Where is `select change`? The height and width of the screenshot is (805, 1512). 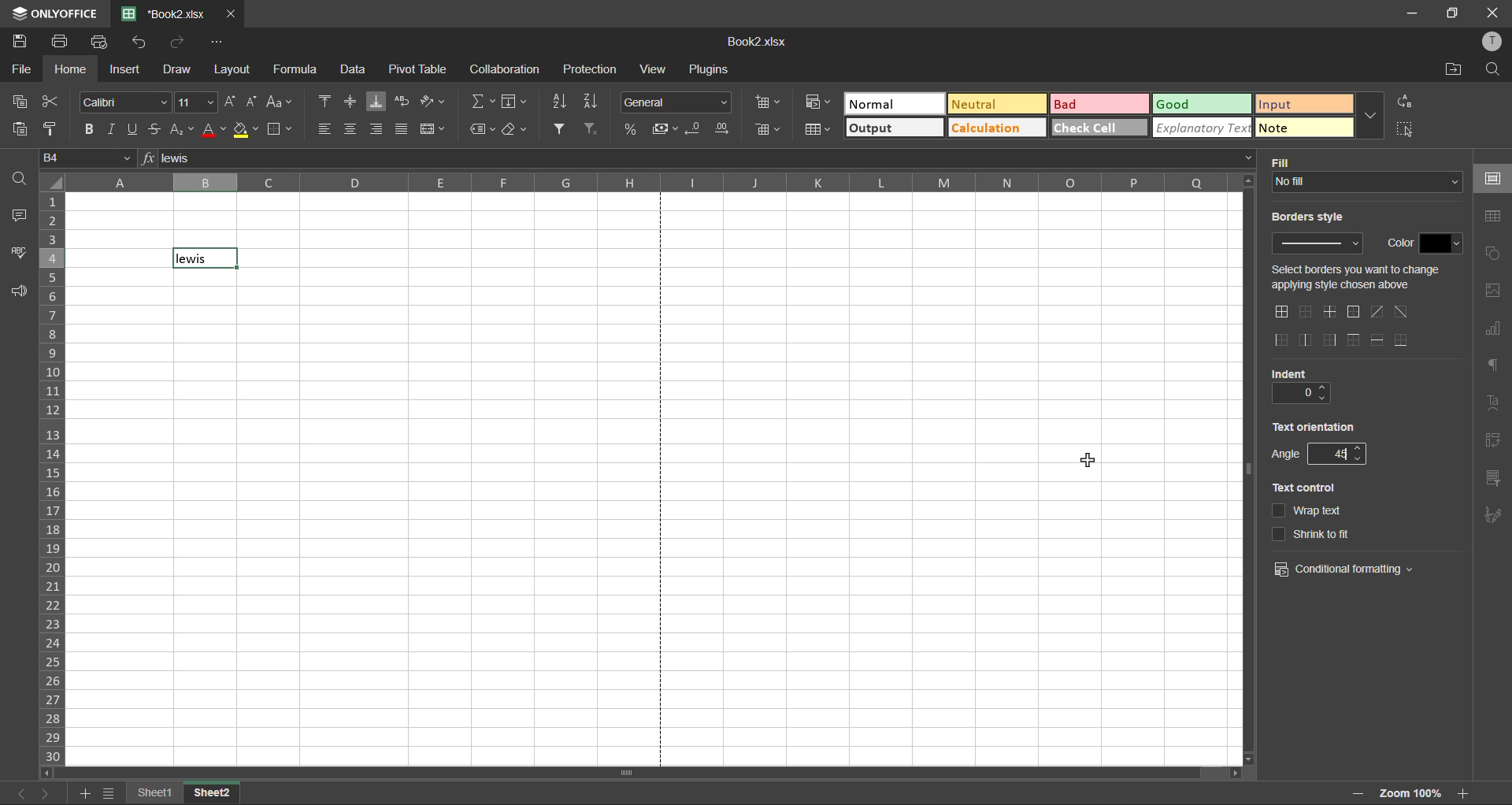 select change is located at coordinates (1361, 277).